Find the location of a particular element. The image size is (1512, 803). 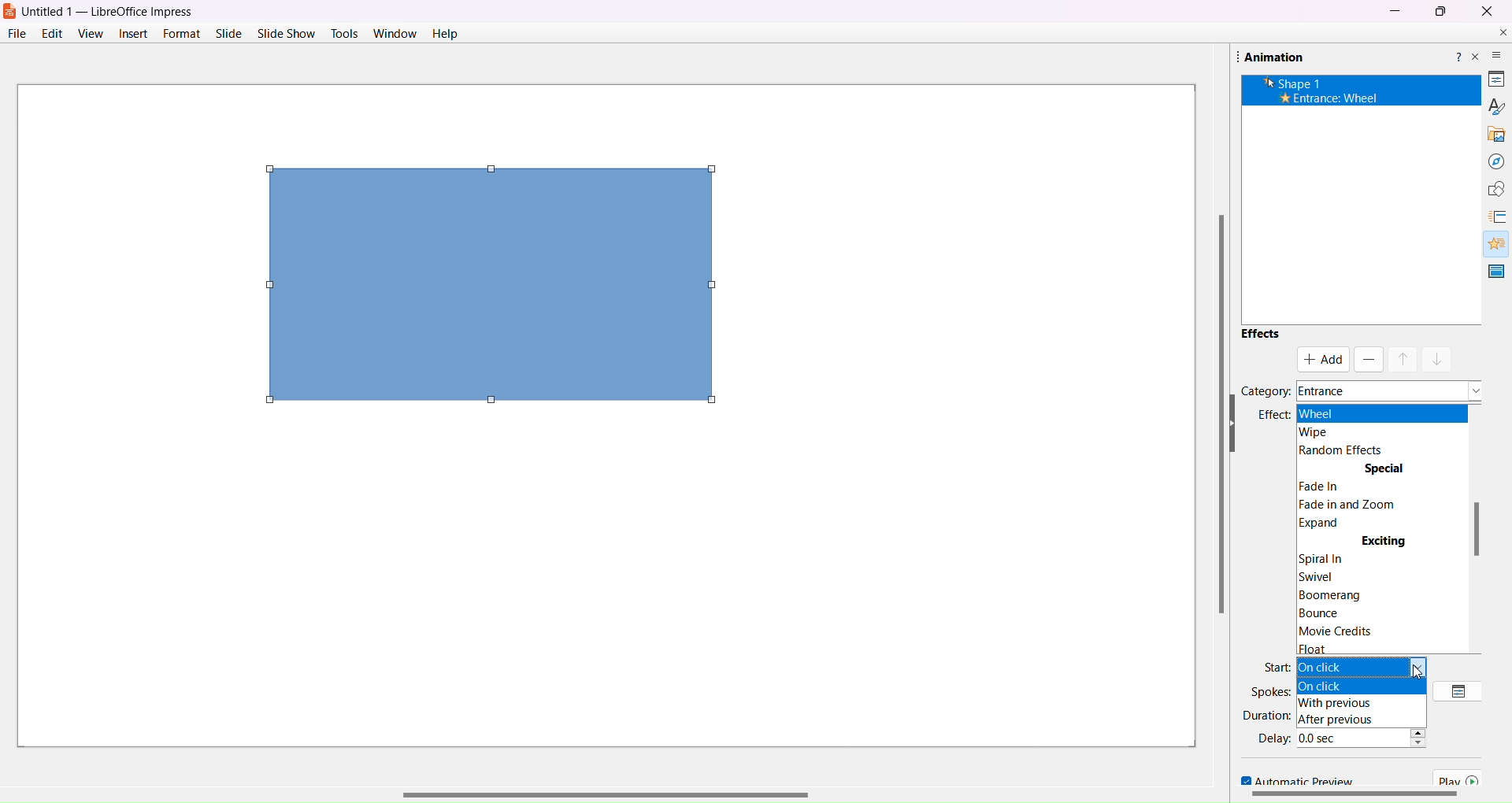

Effects is located at coordinates (1260, 333).